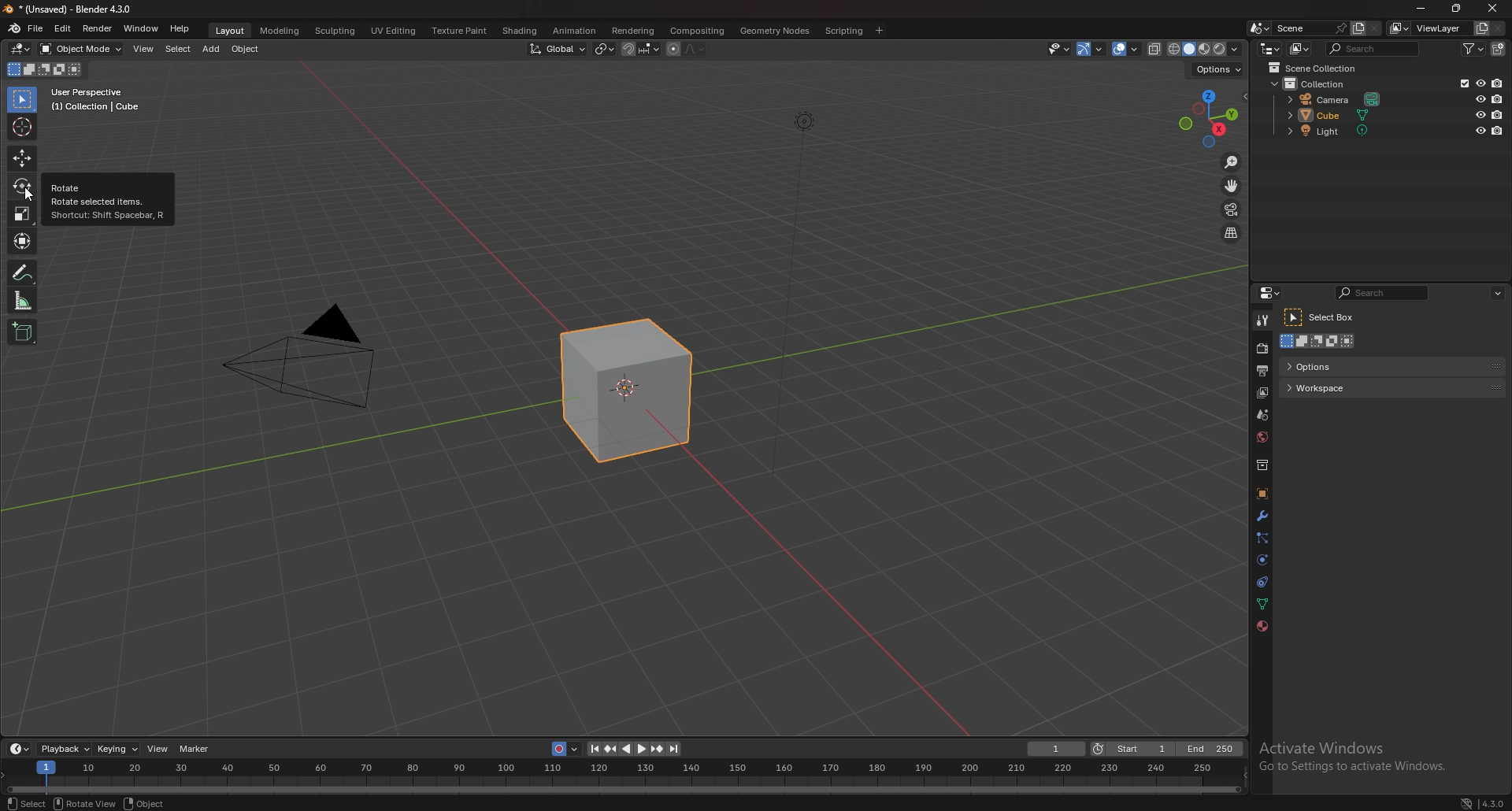 The image size is (1512, 811). Describe the element at coordinates (20, 748) in the screenshot. I see `editor type` at that location.